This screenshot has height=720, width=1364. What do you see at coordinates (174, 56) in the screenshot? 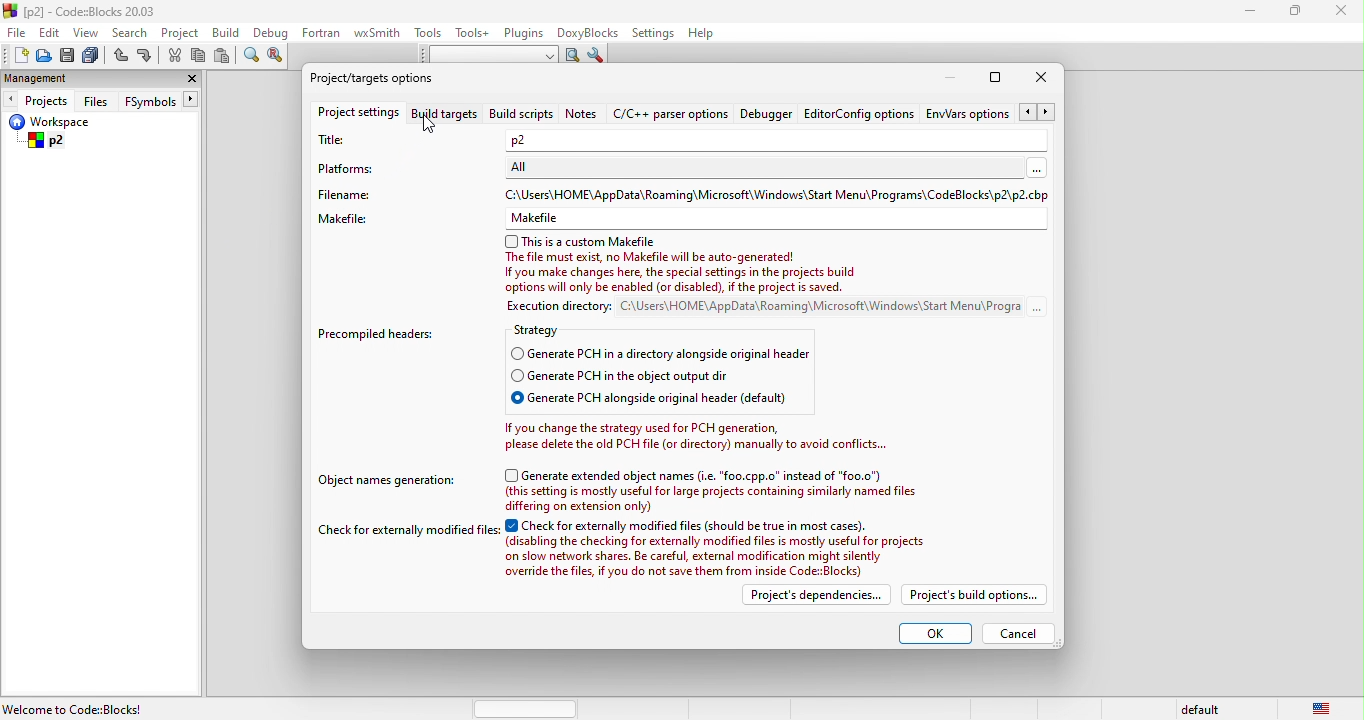
I see `cut` at bounding box center [174, 56].